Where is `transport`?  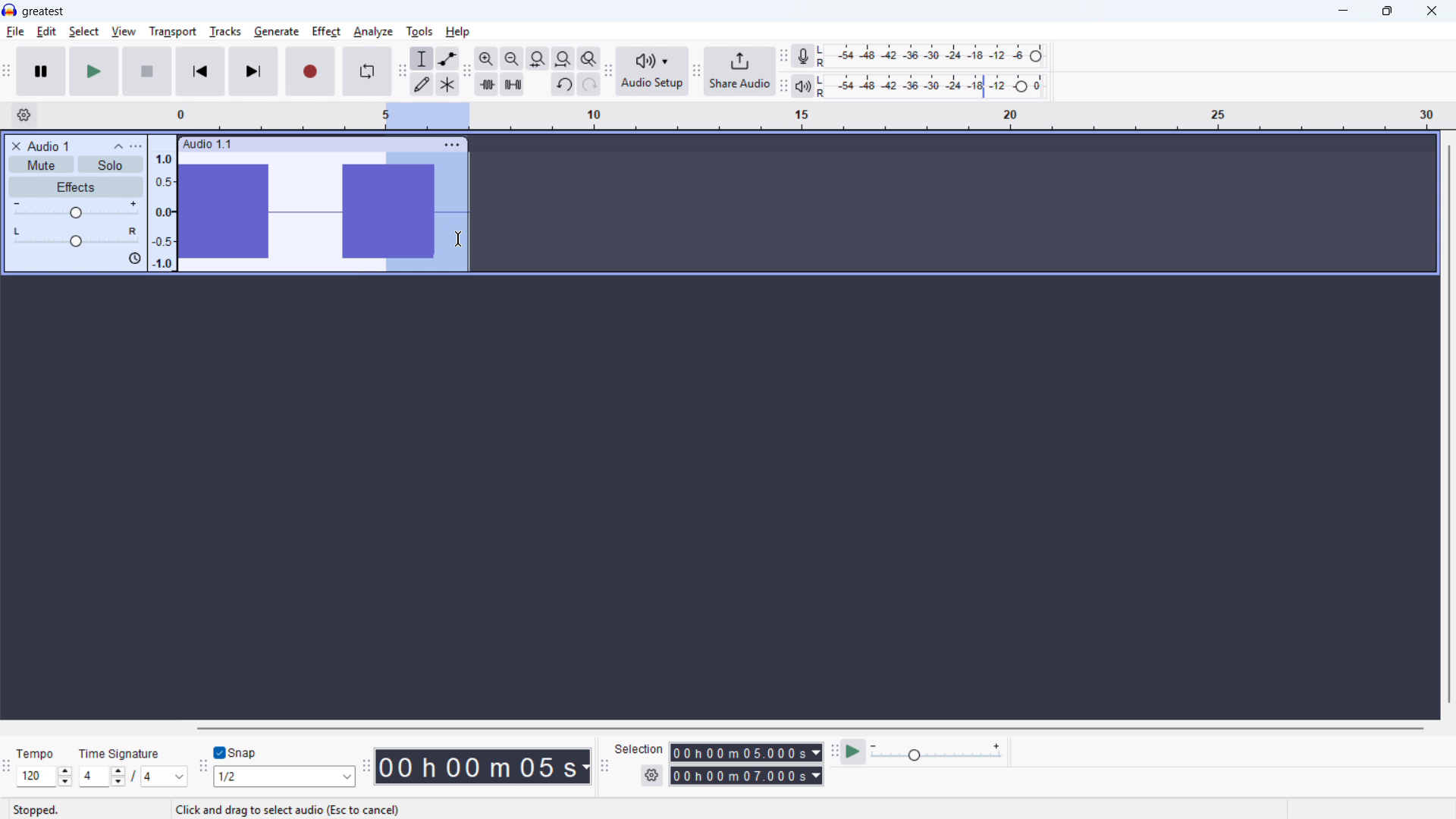 transport is located at coordinates (173, 32).